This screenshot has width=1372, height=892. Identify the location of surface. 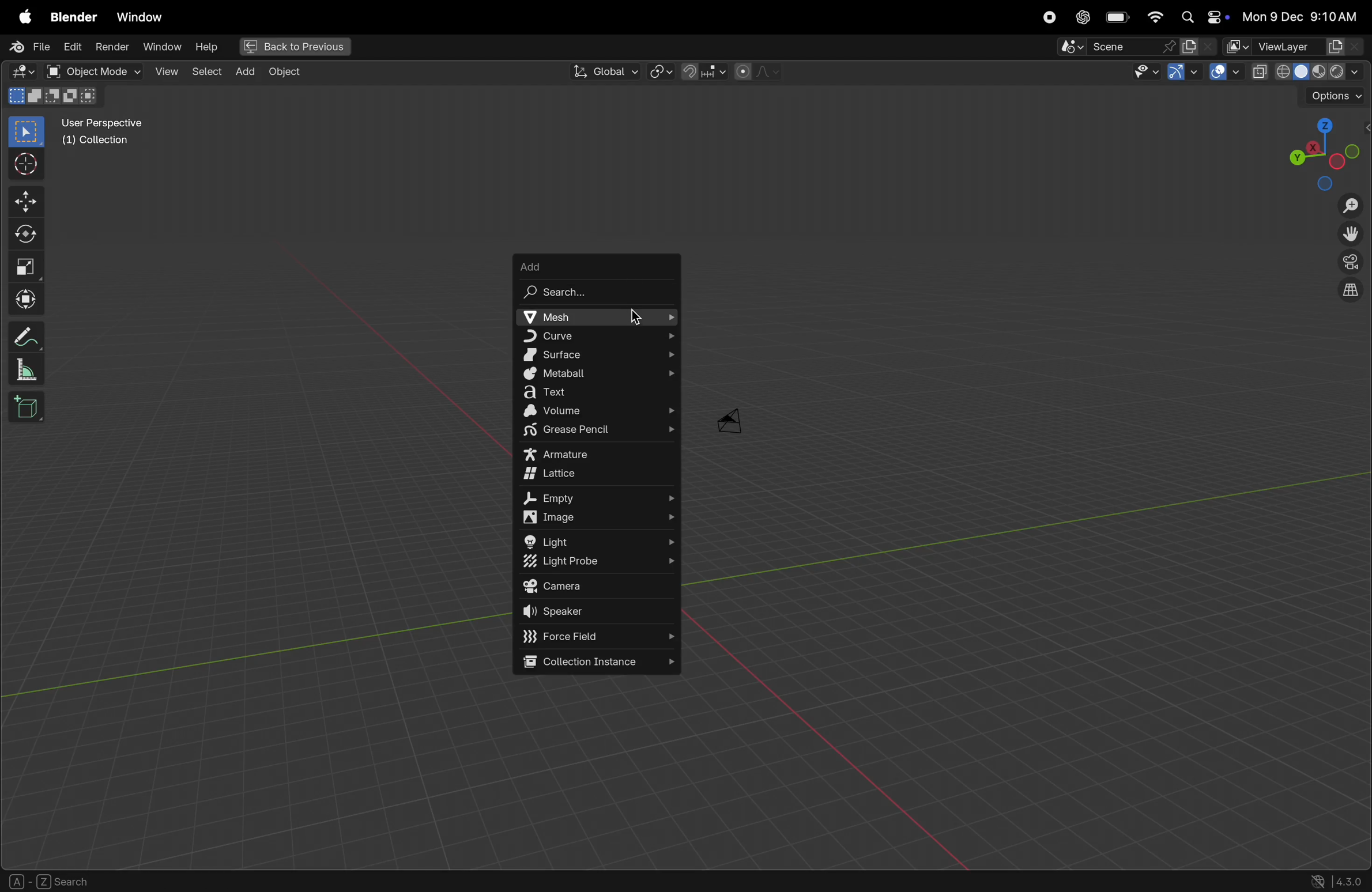
(597, 354).